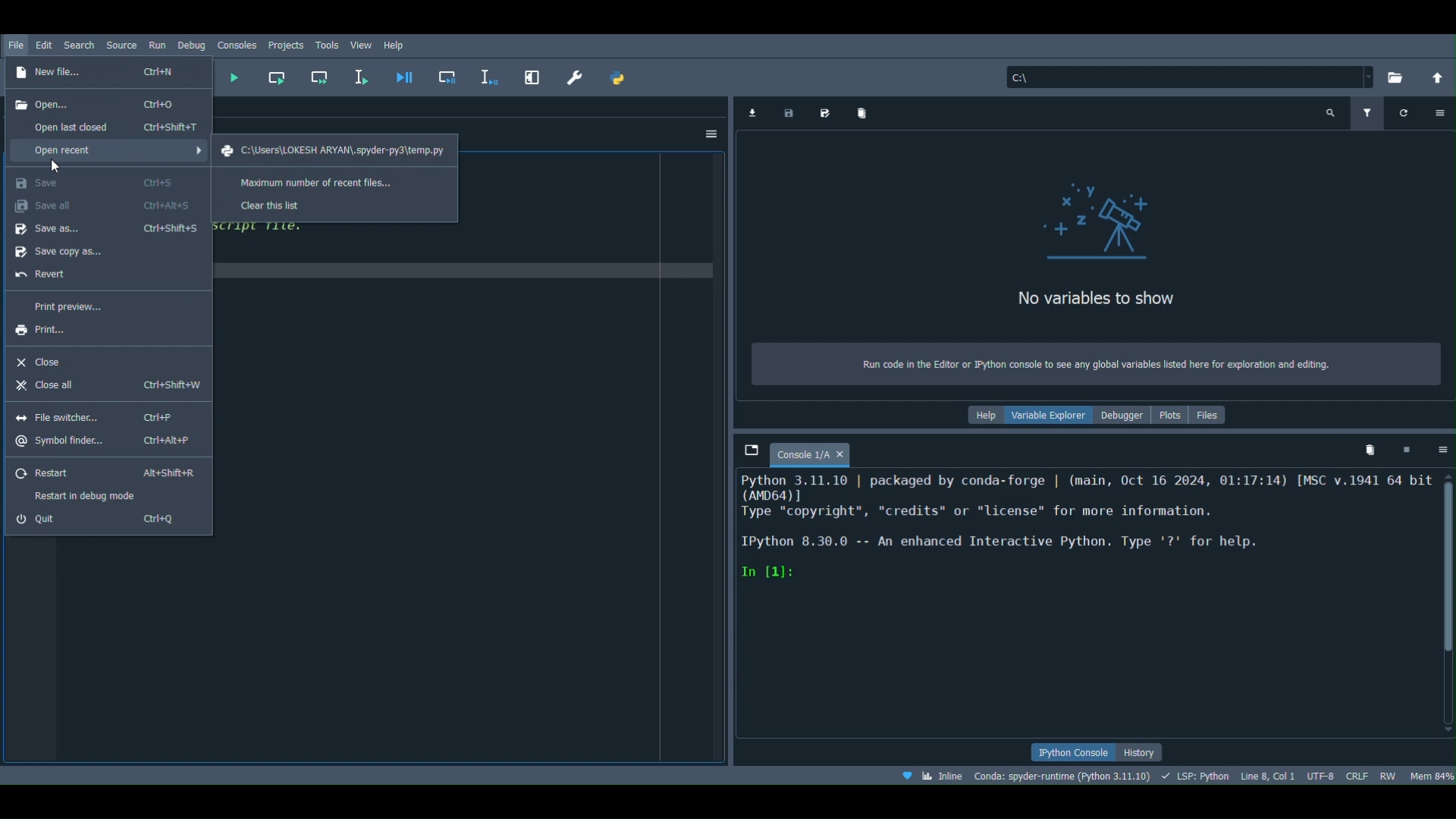  I want to click on Debugger, so click(1119, 418).